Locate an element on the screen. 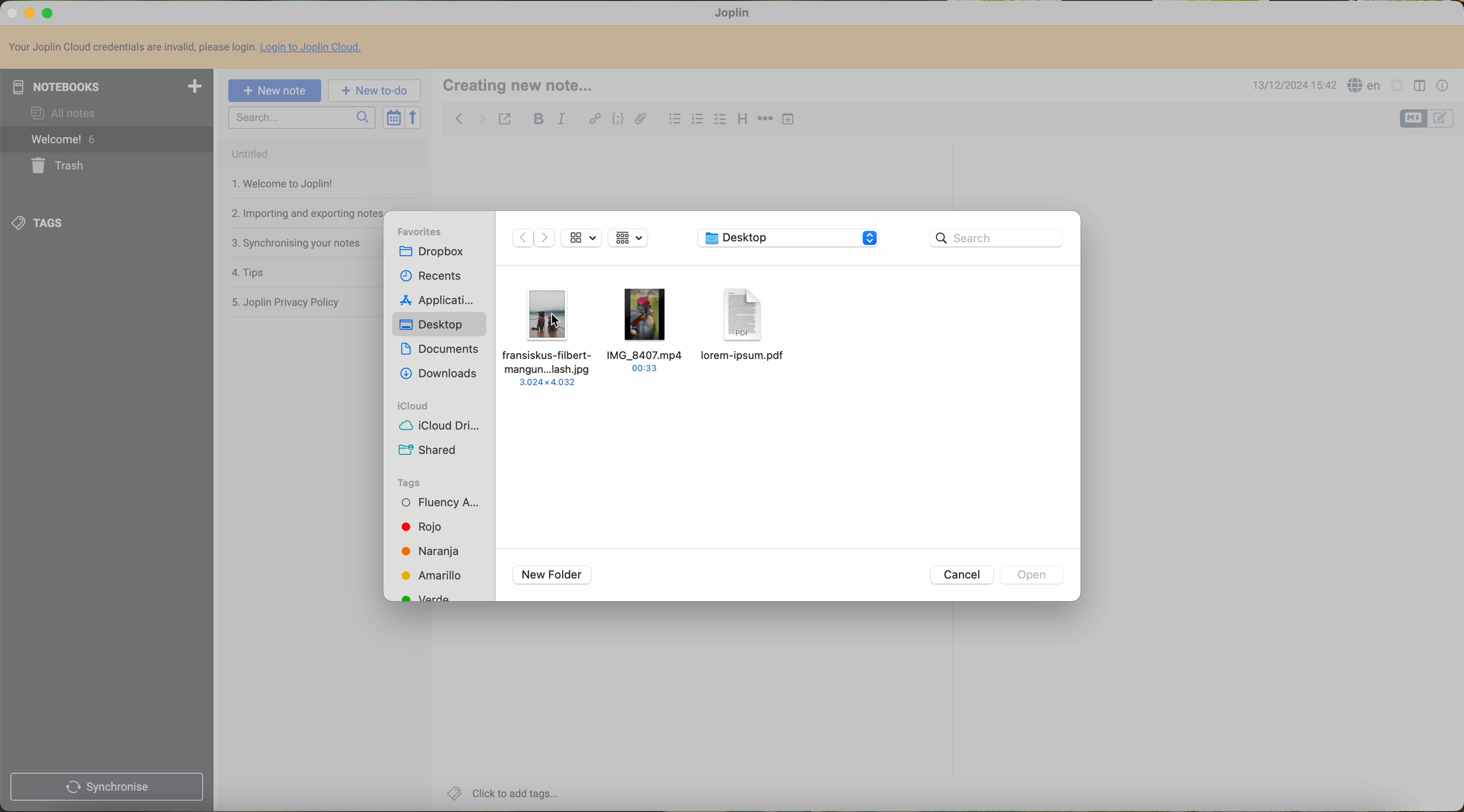 Image resolution: width=1464 pixels, height=812 pixels. toggle editors is located at coordinates (1413, 119).